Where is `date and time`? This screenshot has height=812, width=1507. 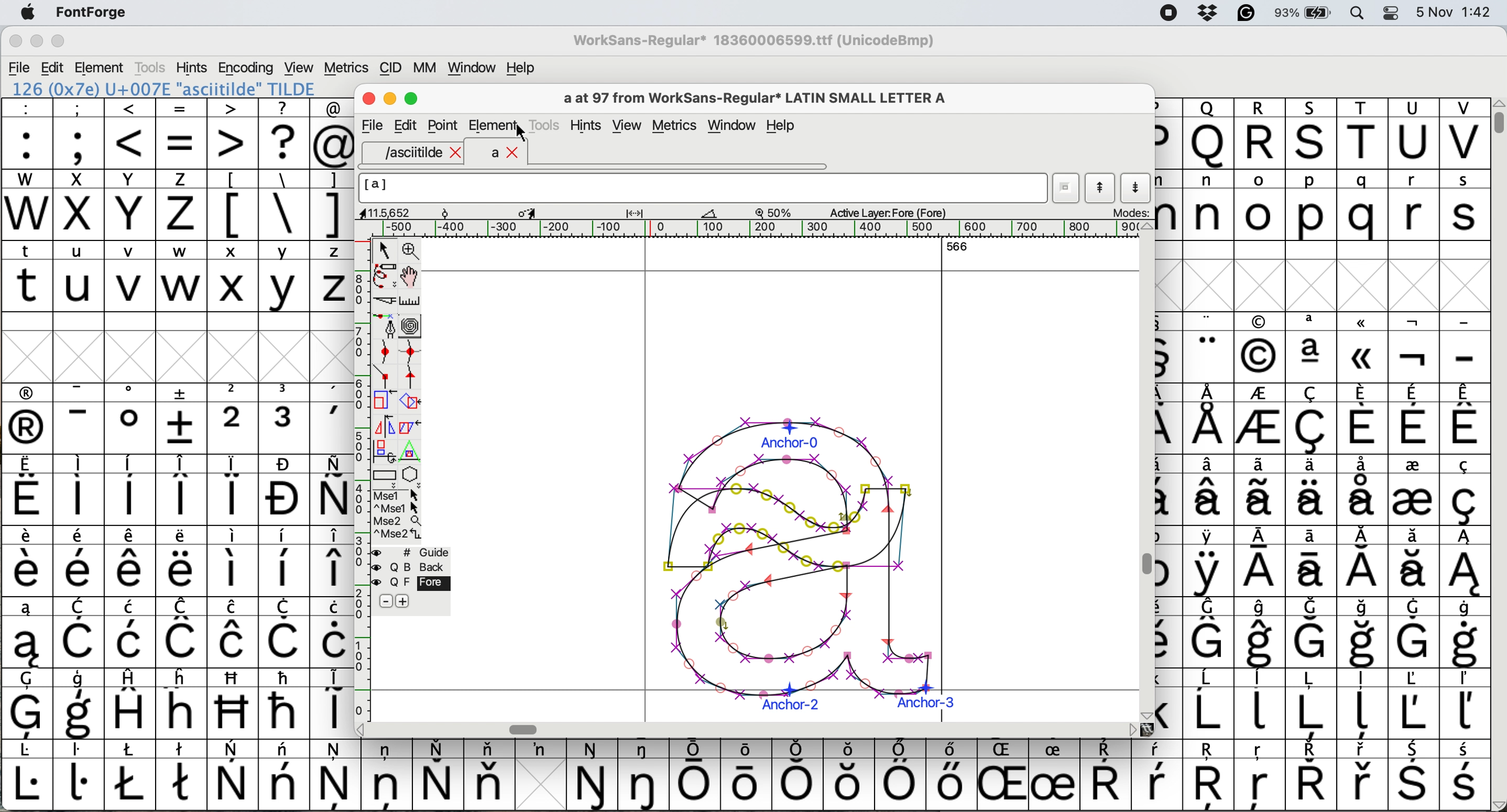
date and time is located at coordinates (1454, 11).